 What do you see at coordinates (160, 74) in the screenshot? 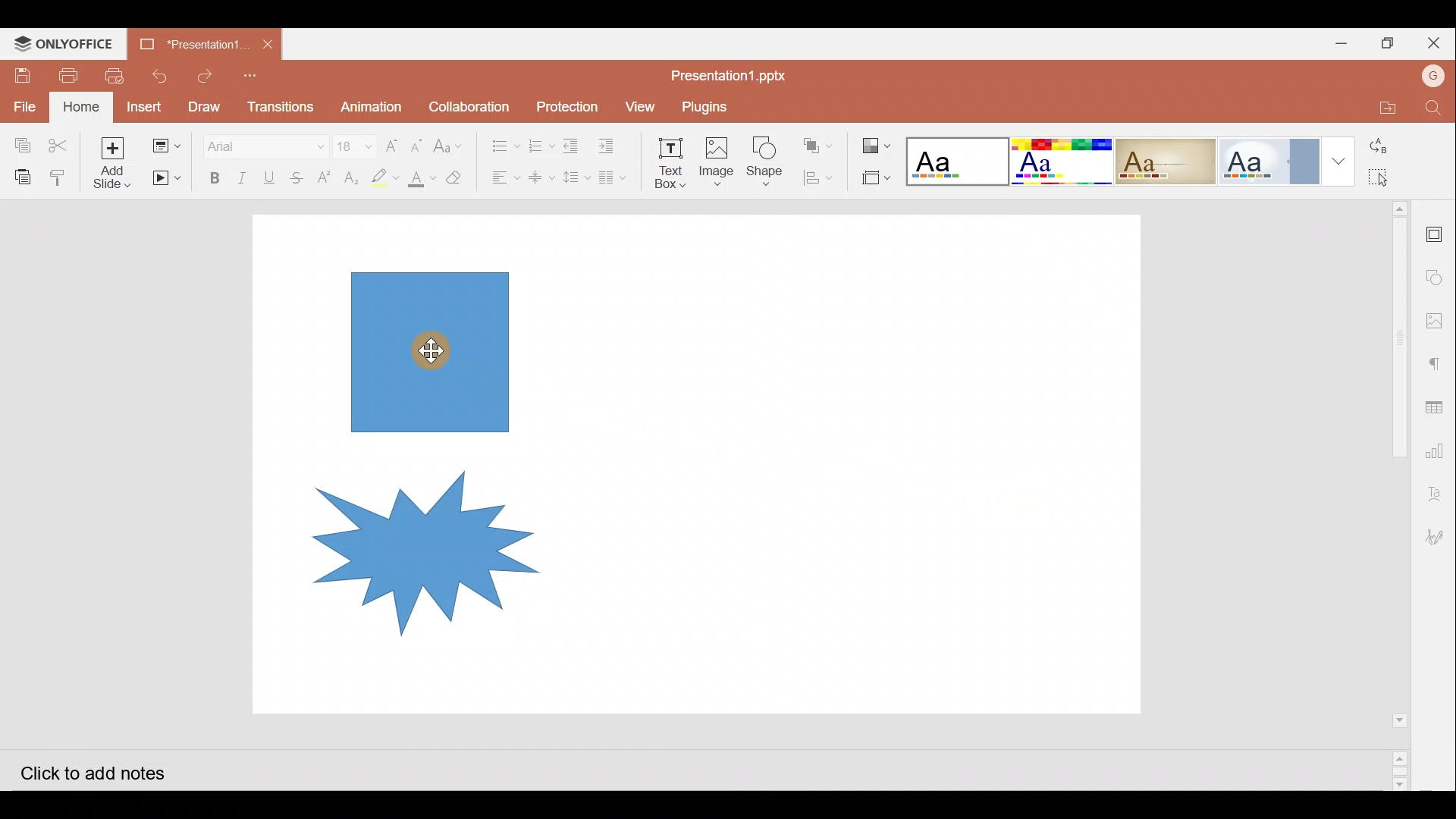
I see `Undo` at bounding box center [160, 74].